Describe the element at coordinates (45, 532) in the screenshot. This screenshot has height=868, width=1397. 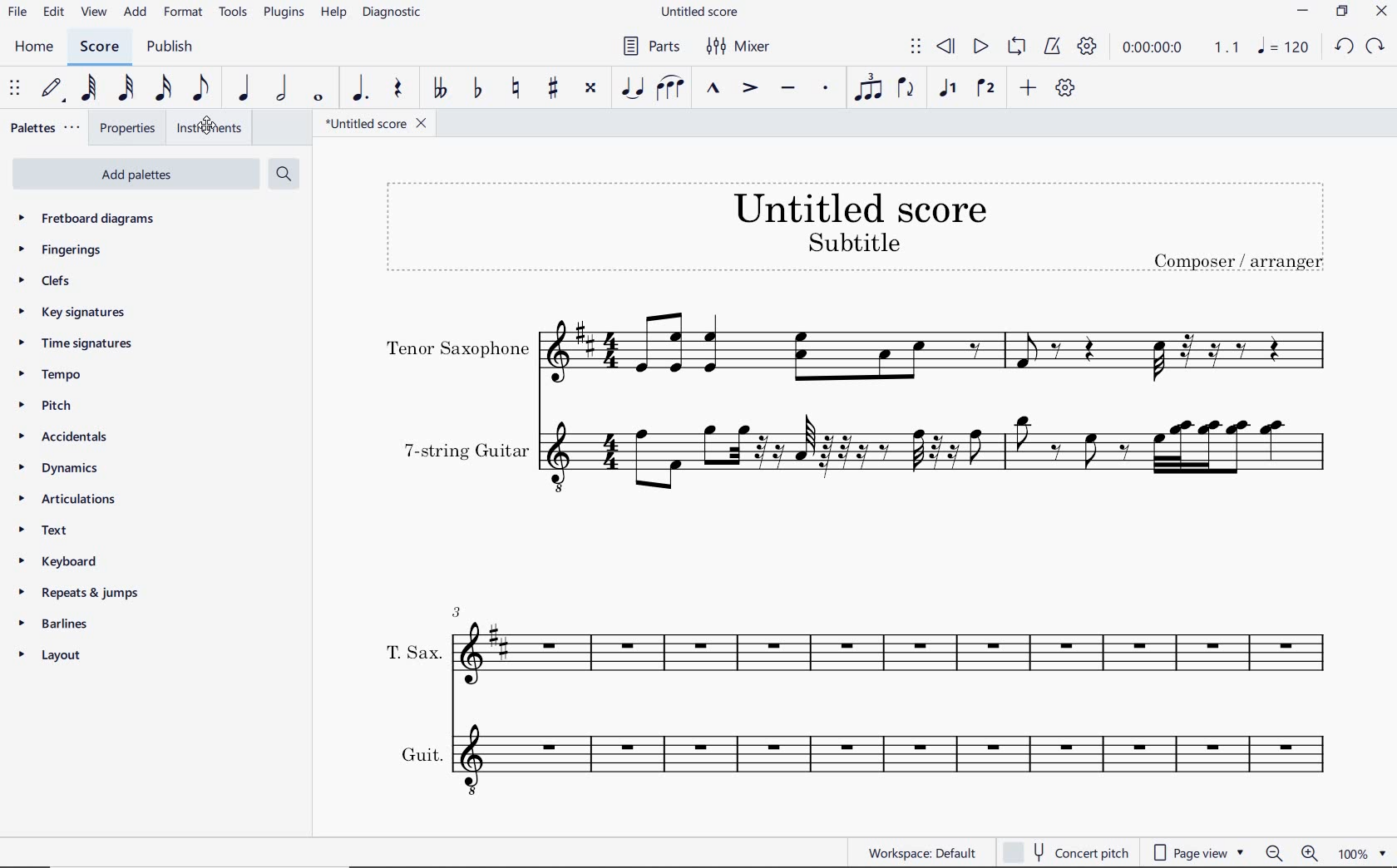
I see `TEXT` at that location.